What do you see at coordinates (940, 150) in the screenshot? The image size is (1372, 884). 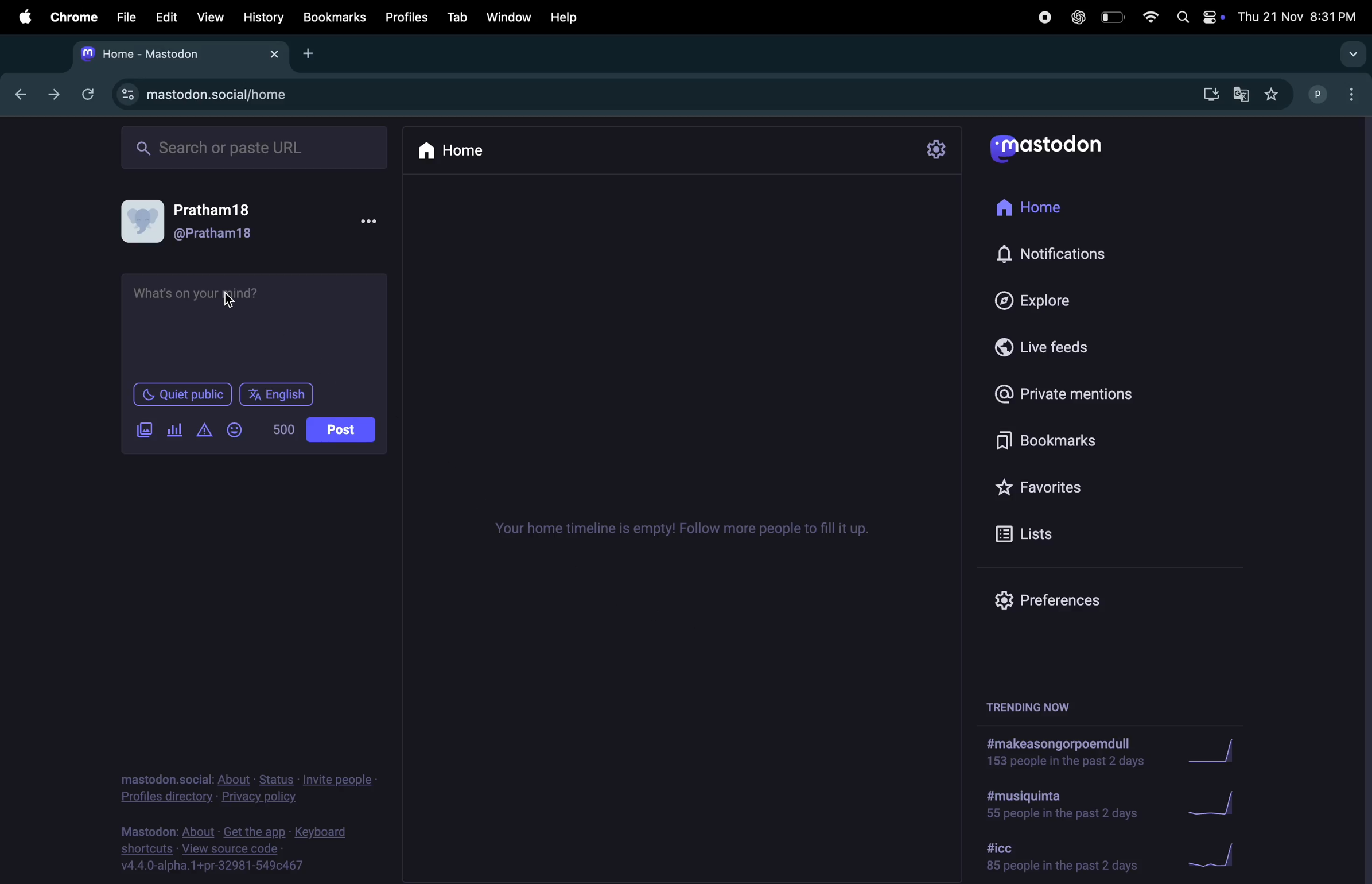 I see `setting` at bounding box center [940, 150].